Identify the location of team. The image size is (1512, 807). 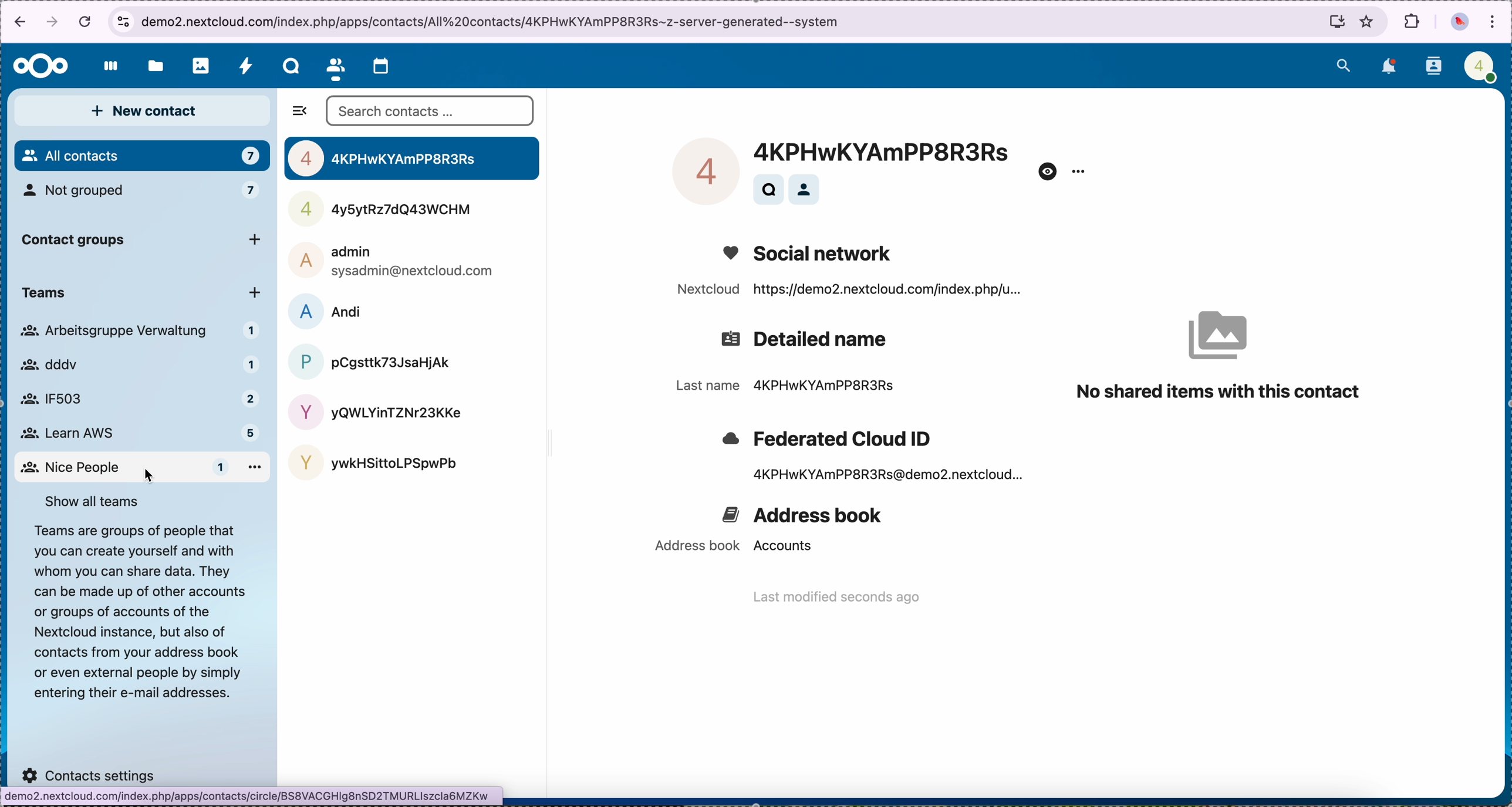
(143, 332).